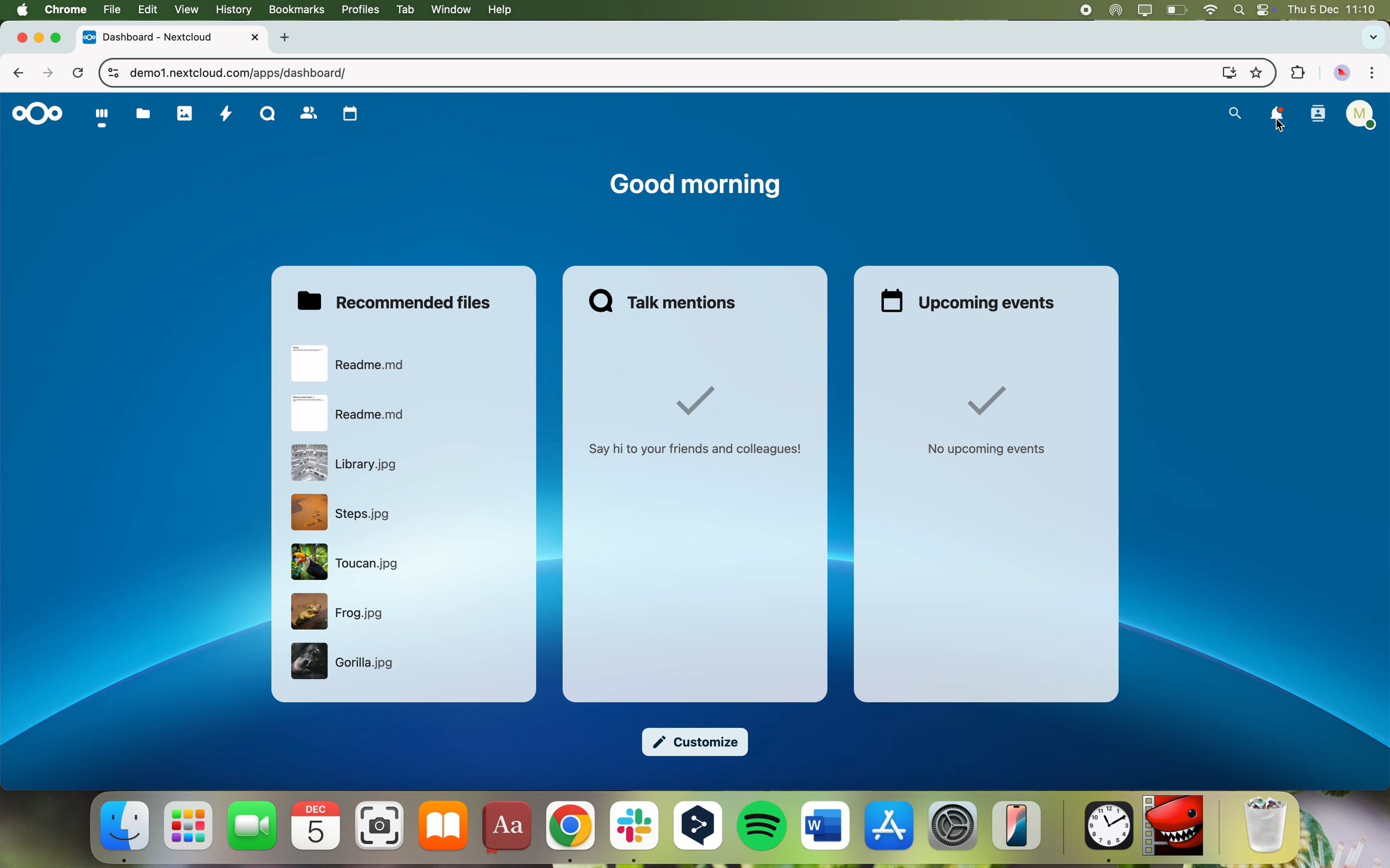 The height and width of the screenshot is (868, 1390). I want to click on screen, so click(1144, 10).